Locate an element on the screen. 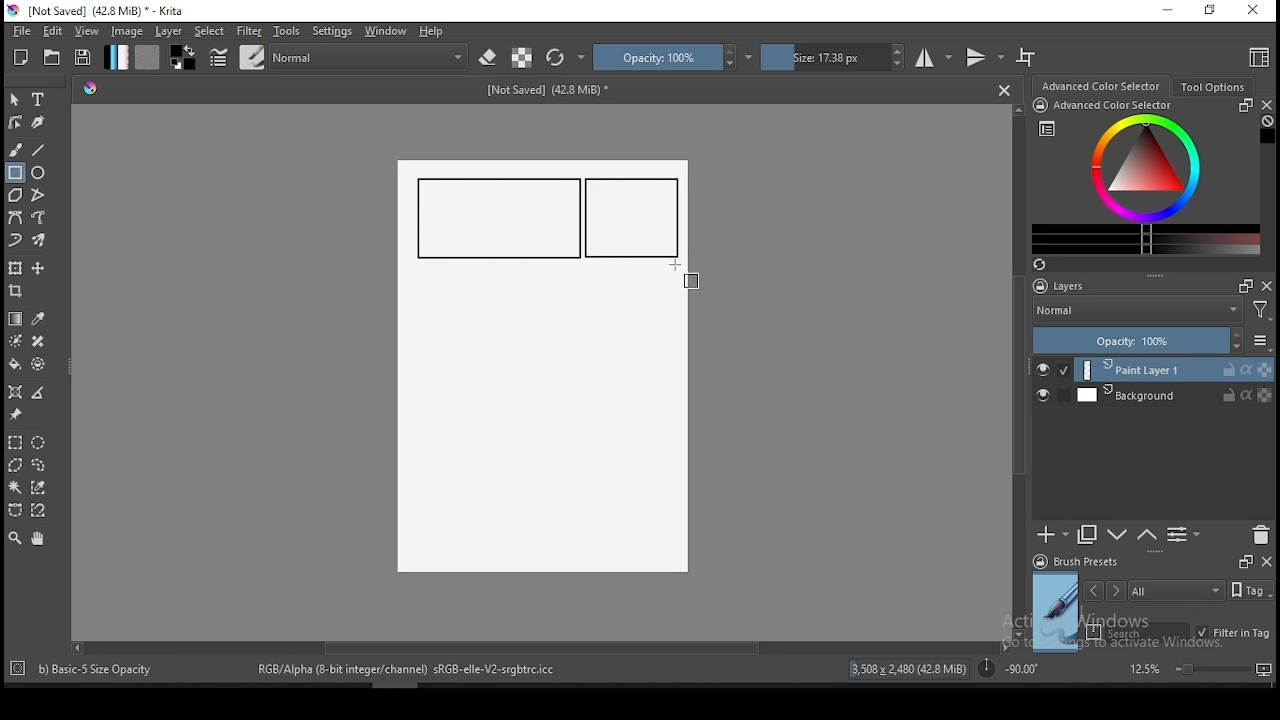 The width and height of the screenshot is (1280, 720). set eraser mode is located at coordinates (490, 58).